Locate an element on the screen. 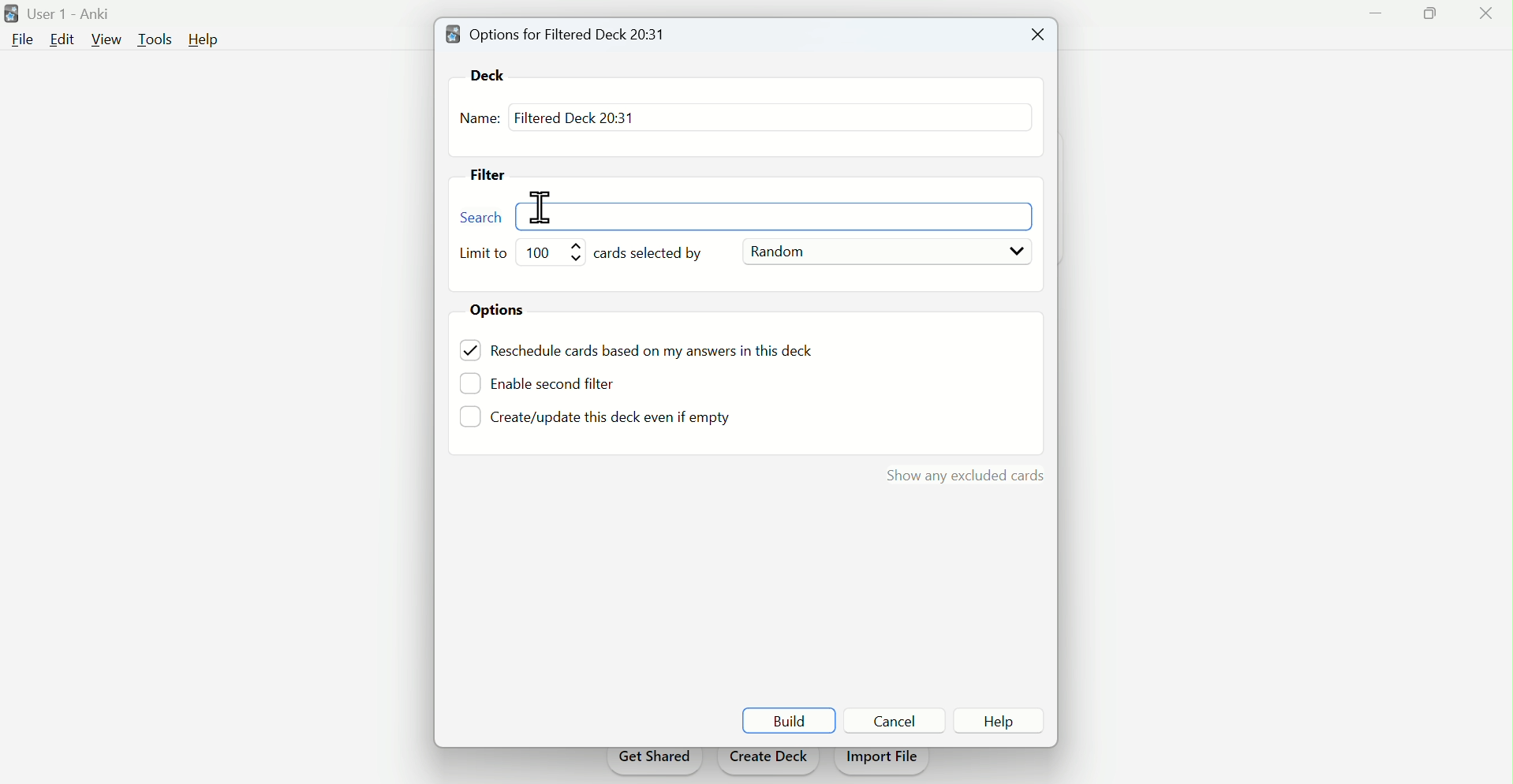 The image size is (1513, 784). Edit is located at coordinates (61, 39).